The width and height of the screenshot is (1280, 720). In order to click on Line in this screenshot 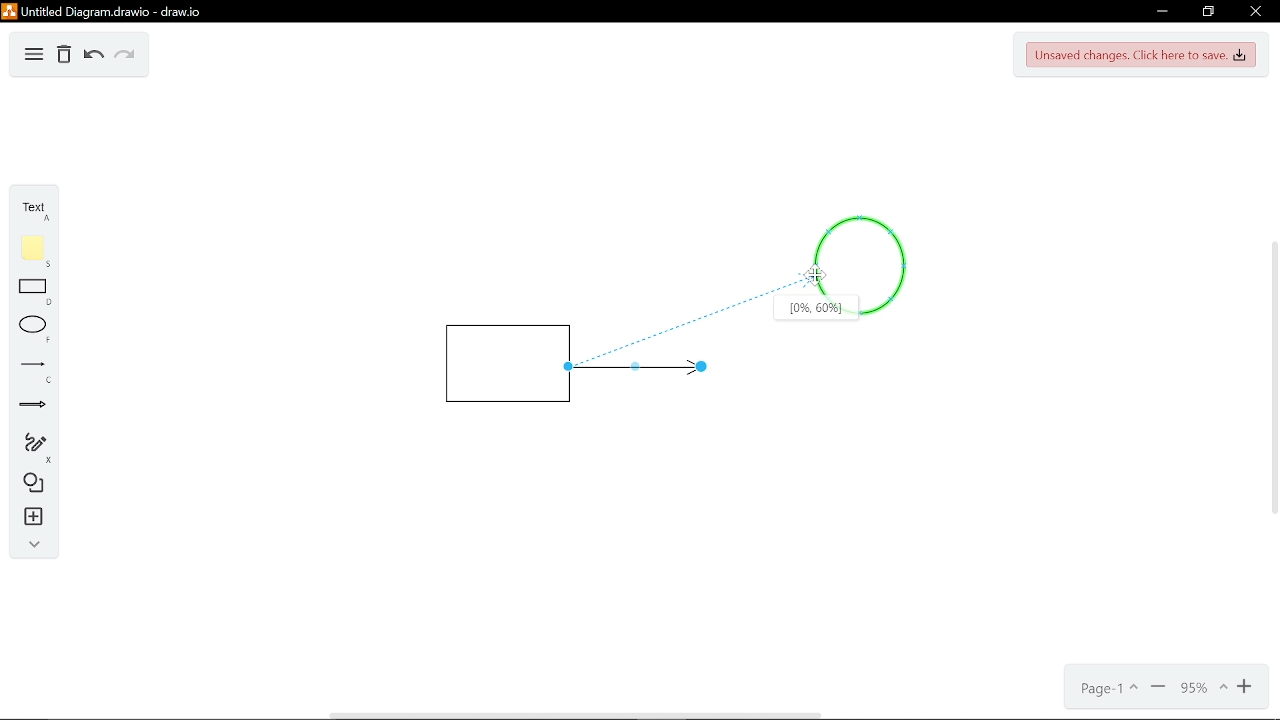, I will do `click(689, 321)`.